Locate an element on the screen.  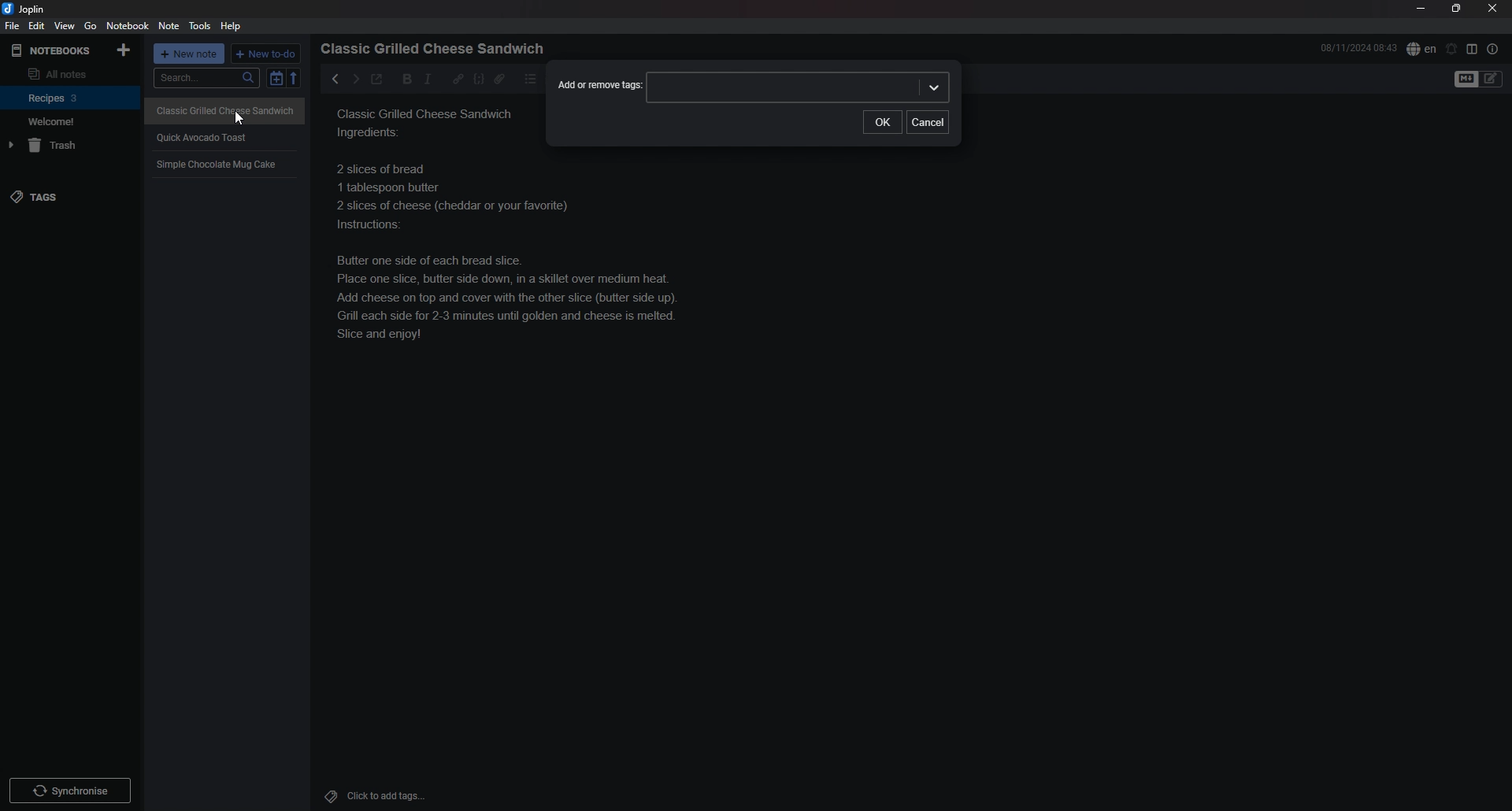
time is located at coordinates (1358, 47).